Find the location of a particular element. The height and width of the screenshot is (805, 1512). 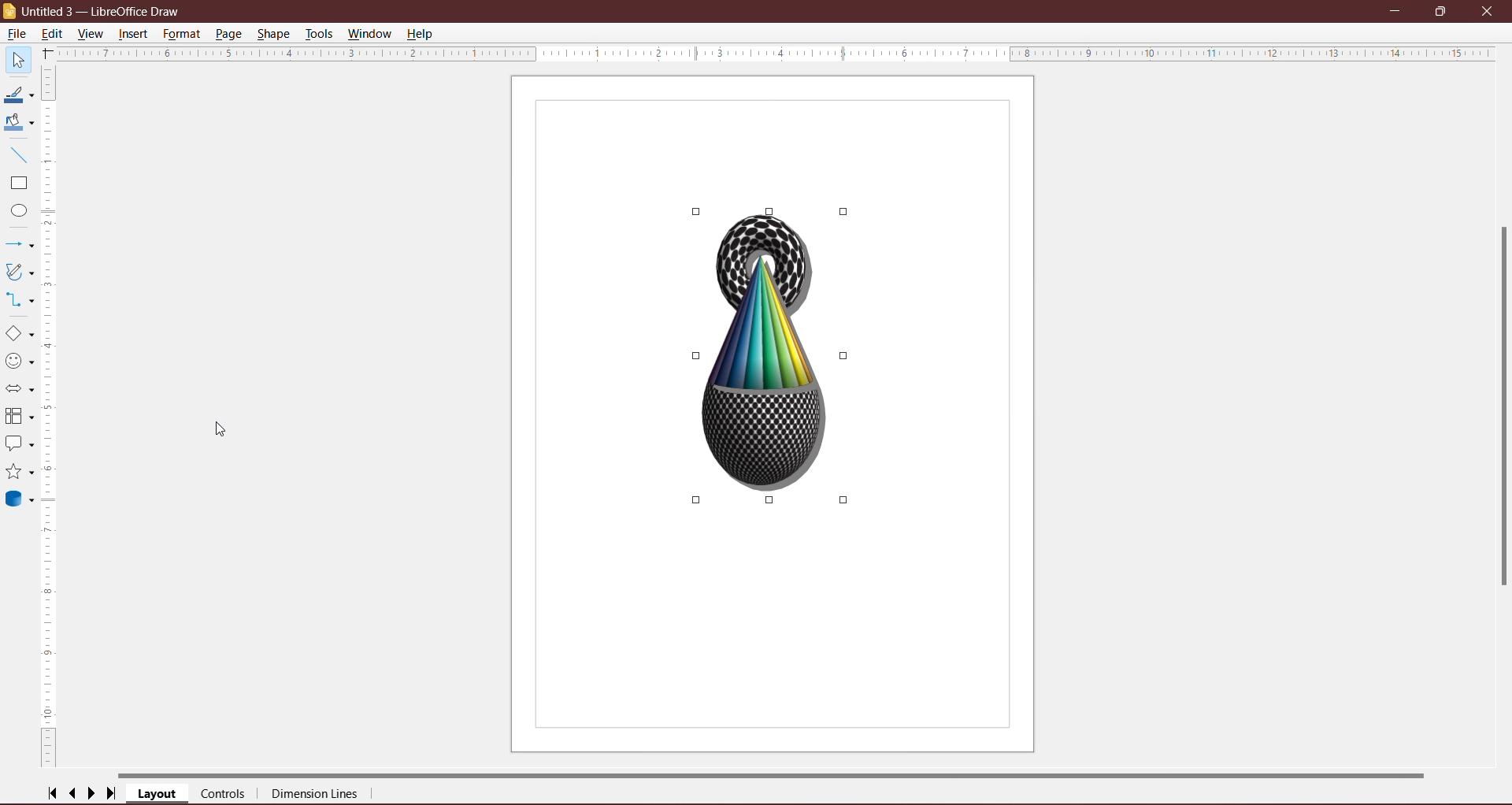

Horizontal Ruler is located at coordinates (774, 54).